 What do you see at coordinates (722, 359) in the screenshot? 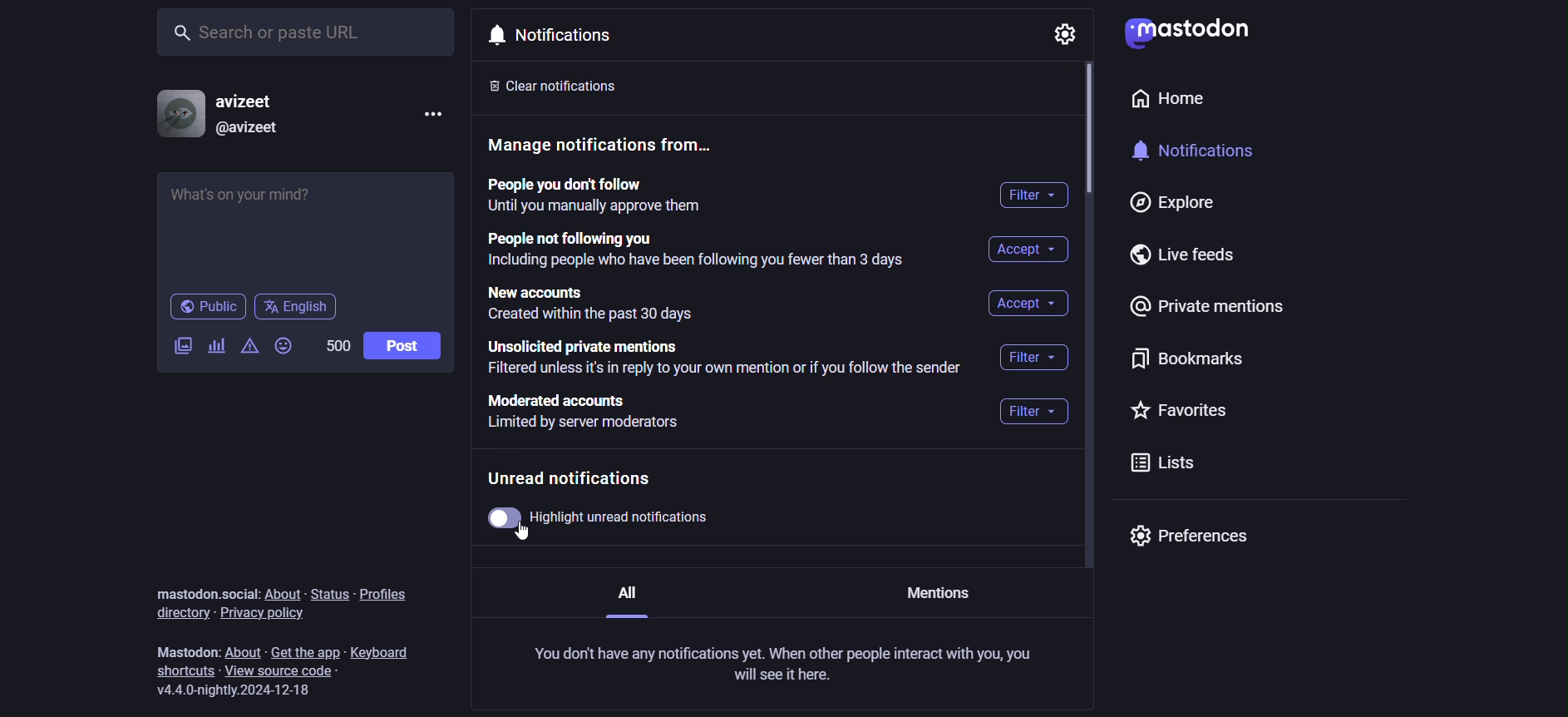
I see `unsolicited private mentions filtered unless it's in reply to your own mention or if you follow the sender` at bounding box center [722, 359].